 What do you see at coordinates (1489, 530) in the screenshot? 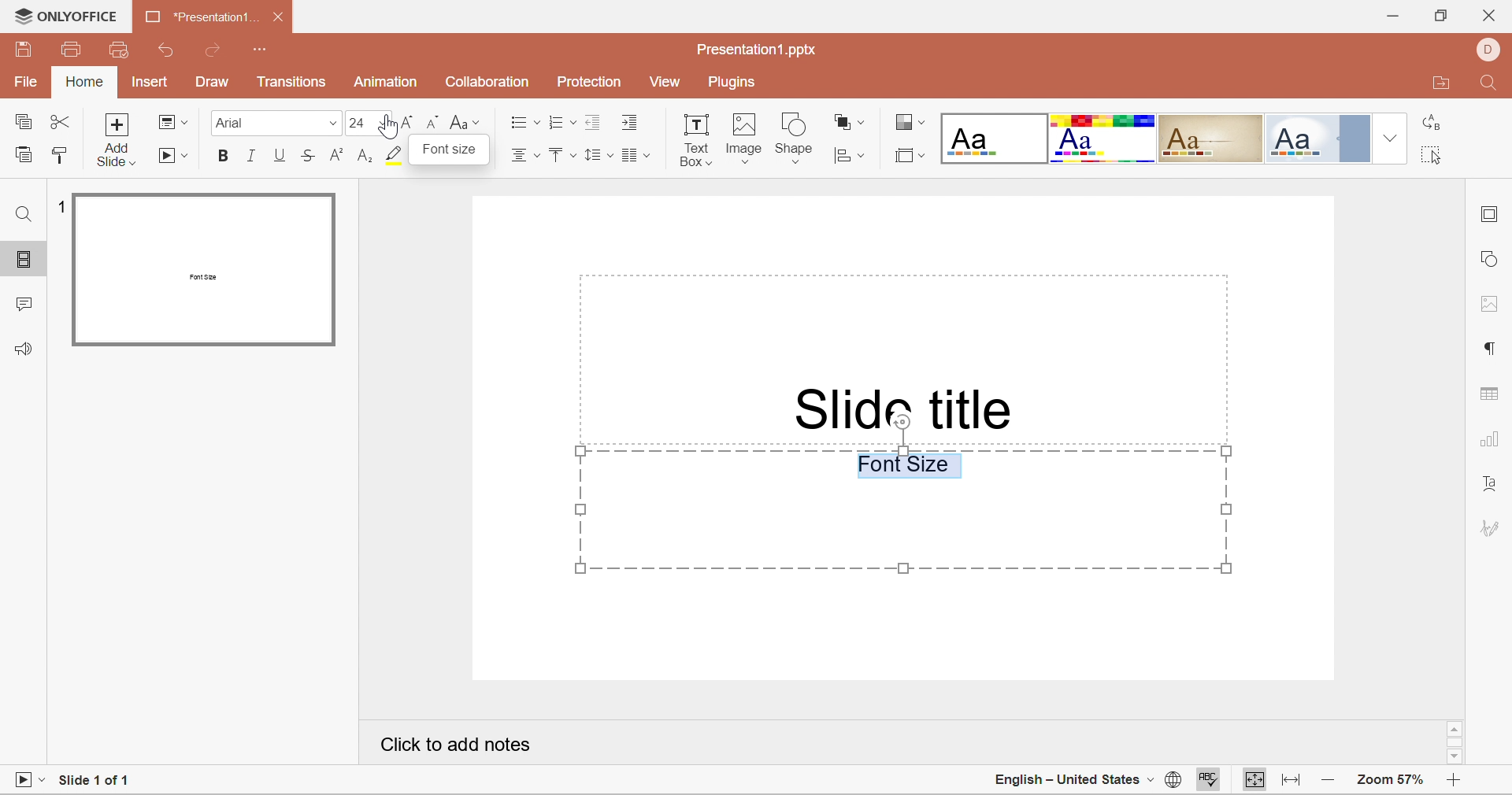
I see `Signature settings` at bounding box center [1489, 530].